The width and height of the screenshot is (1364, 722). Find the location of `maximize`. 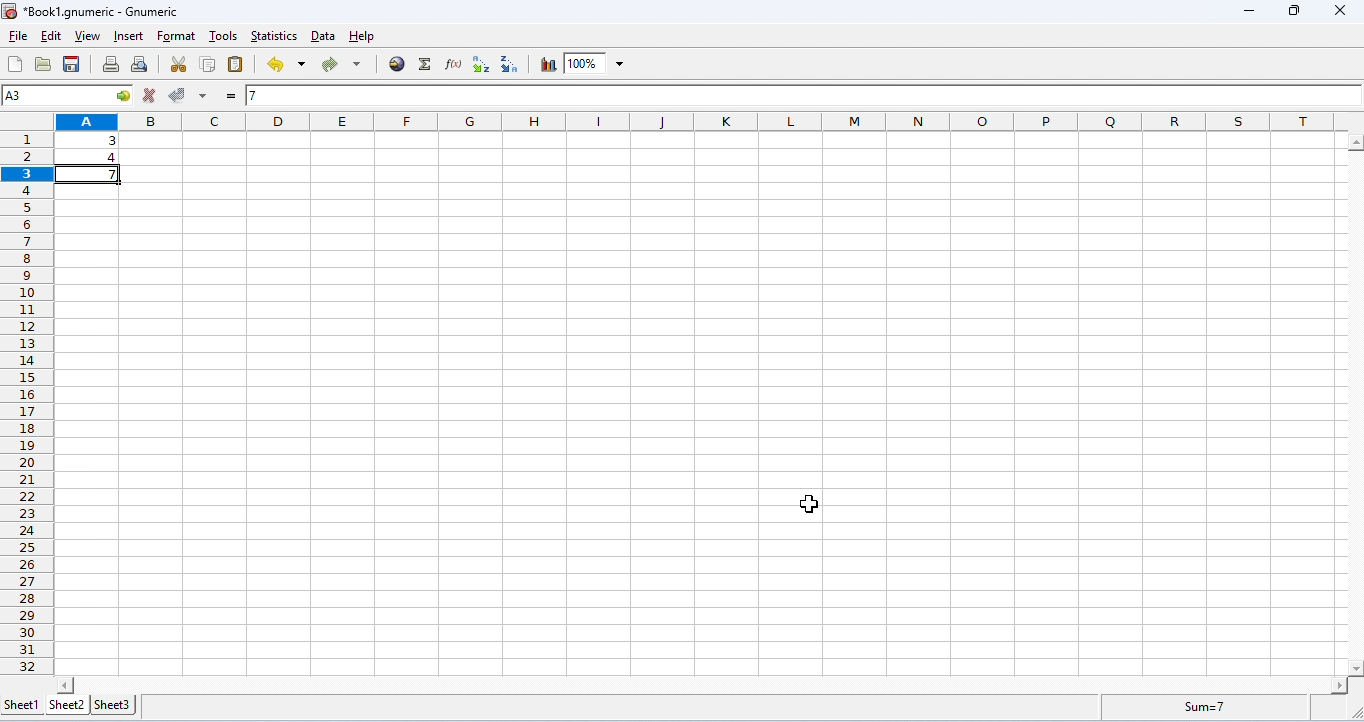

maximize is located at coordinates (1294, 11).